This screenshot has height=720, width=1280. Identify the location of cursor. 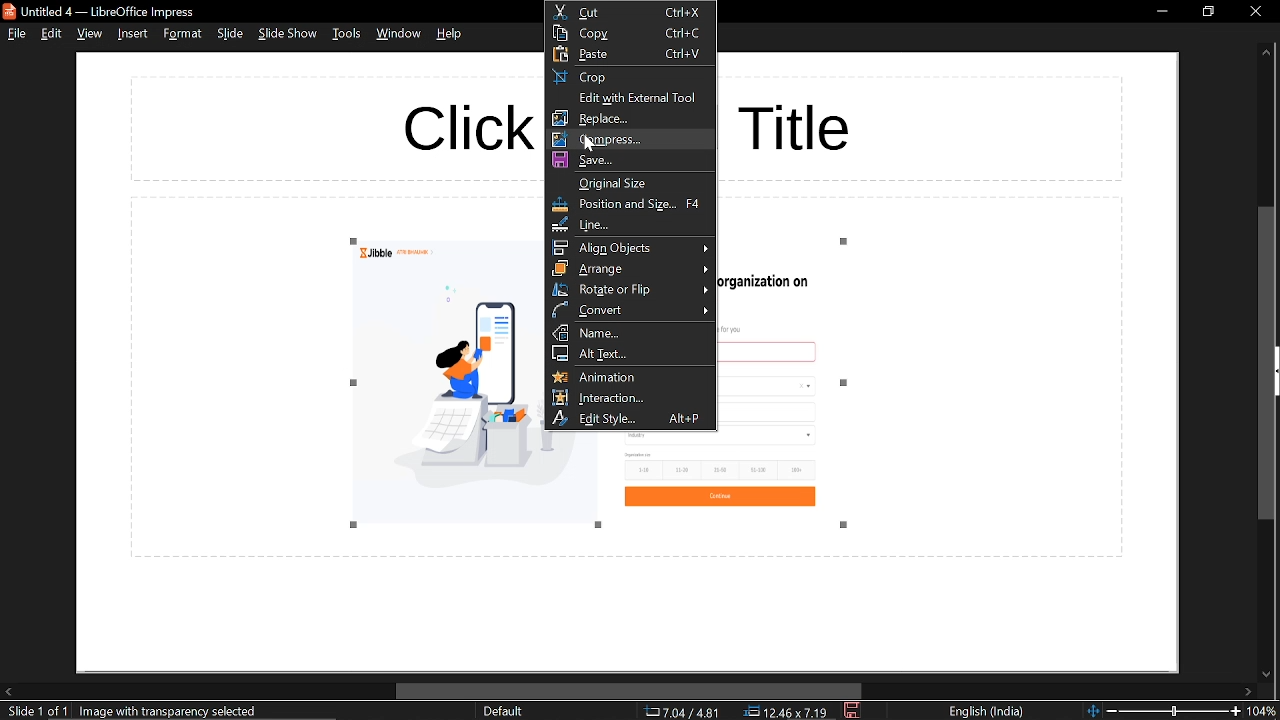
(588, 146).